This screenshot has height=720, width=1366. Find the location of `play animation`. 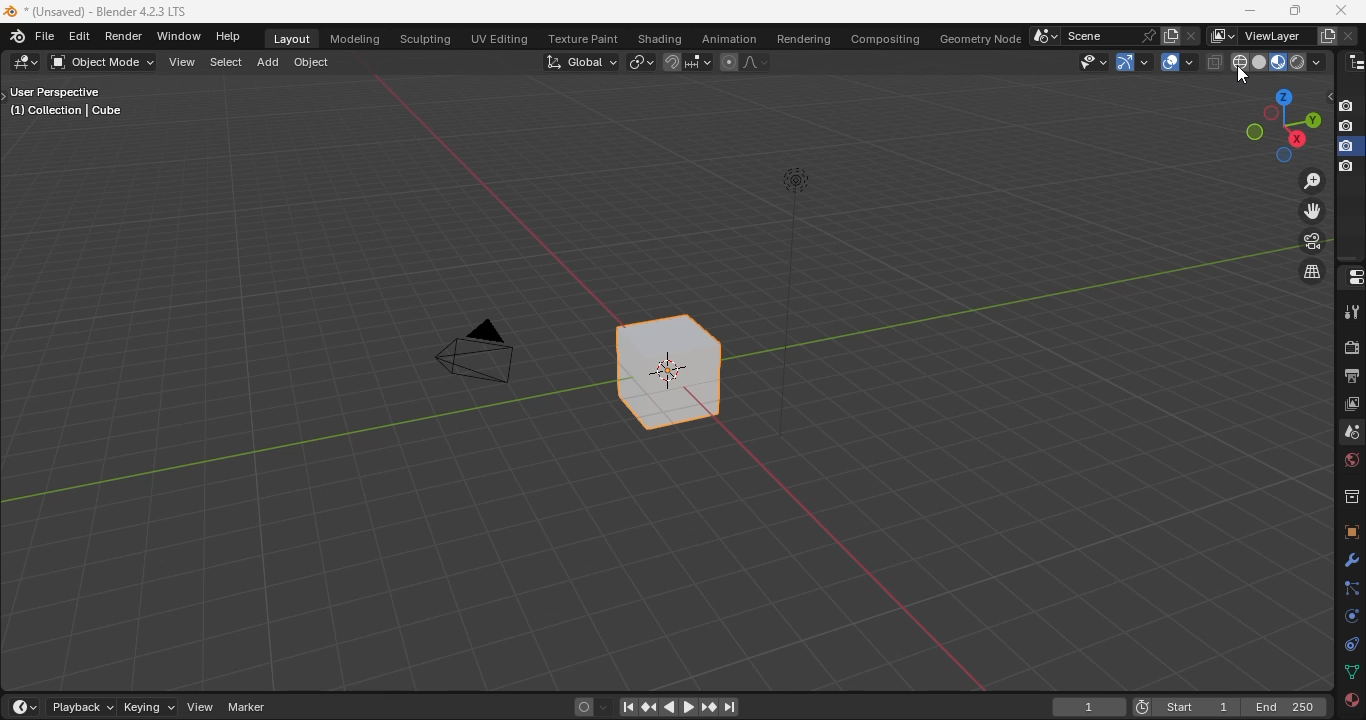

play animation is located at coordinates (686, 706).